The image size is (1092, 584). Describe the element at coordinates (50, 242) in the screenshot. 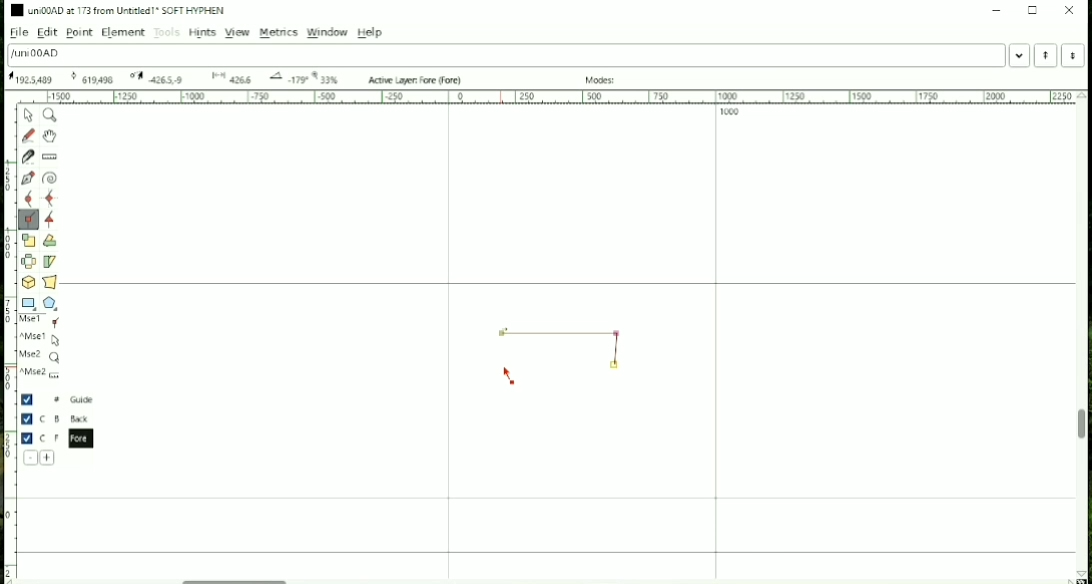

I see `Rotate the selection` at that location.